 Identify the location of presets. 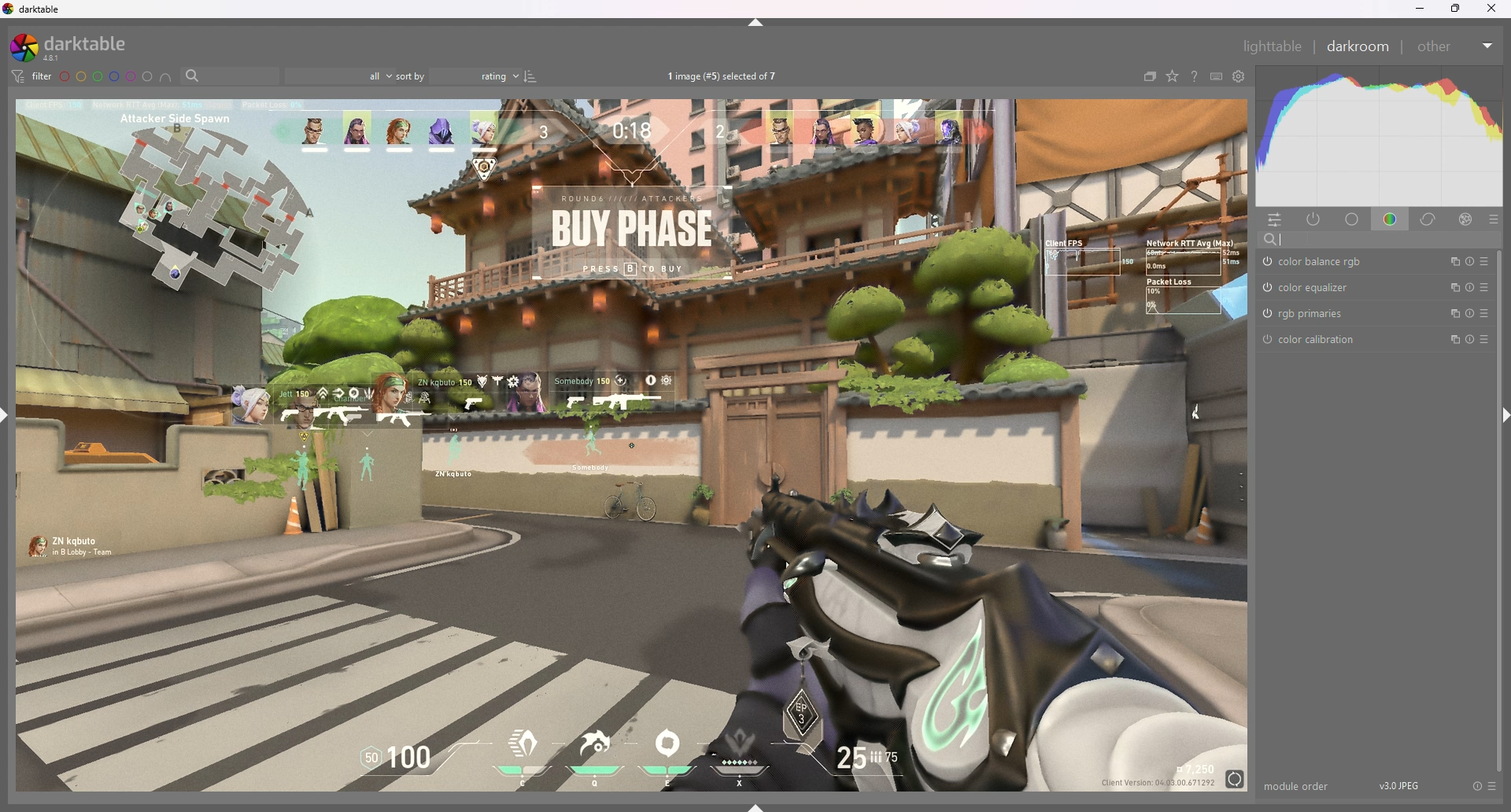
(1491, 785).